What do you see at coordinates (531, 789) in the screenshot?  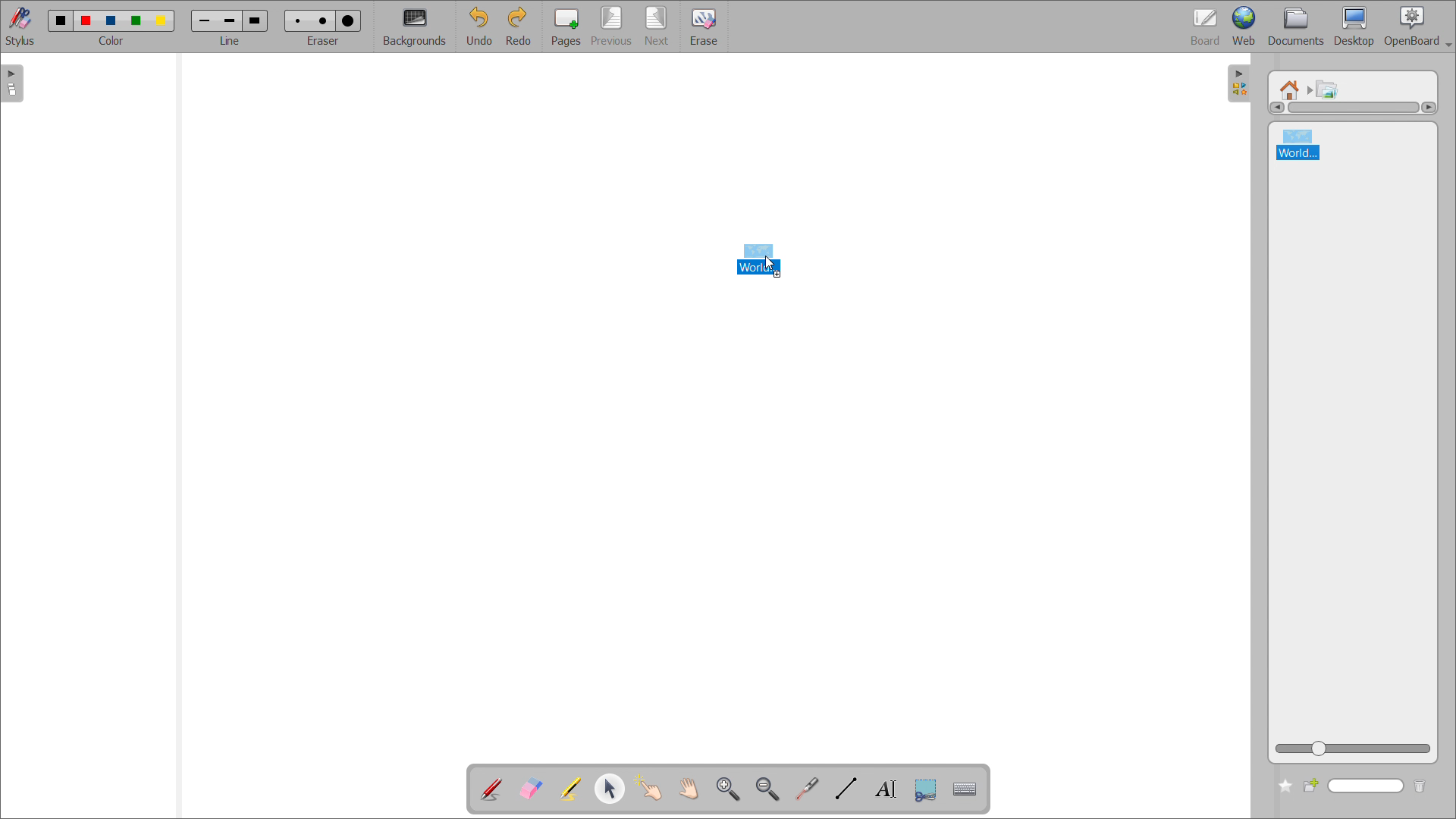 I see `erase annotation` at bounding box center [531, 789].